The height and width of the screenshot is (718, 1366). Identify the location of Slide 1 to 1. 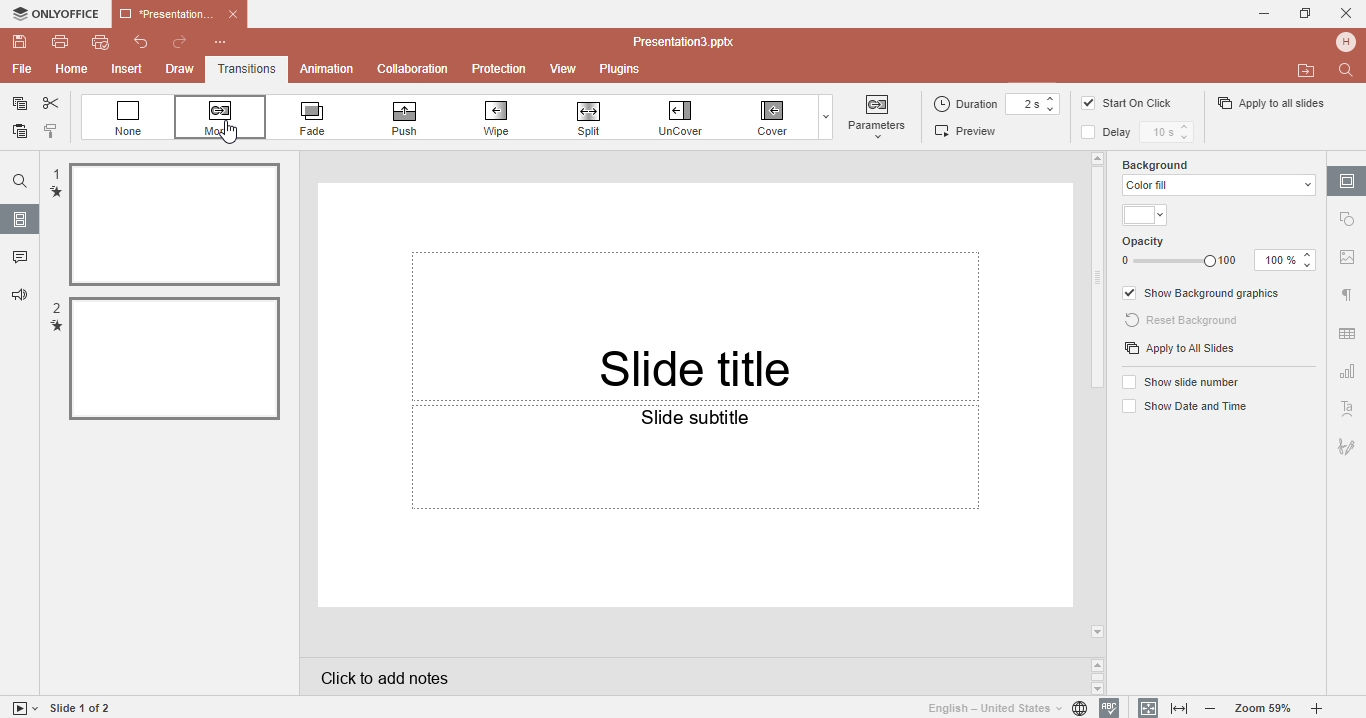
(82, 708).